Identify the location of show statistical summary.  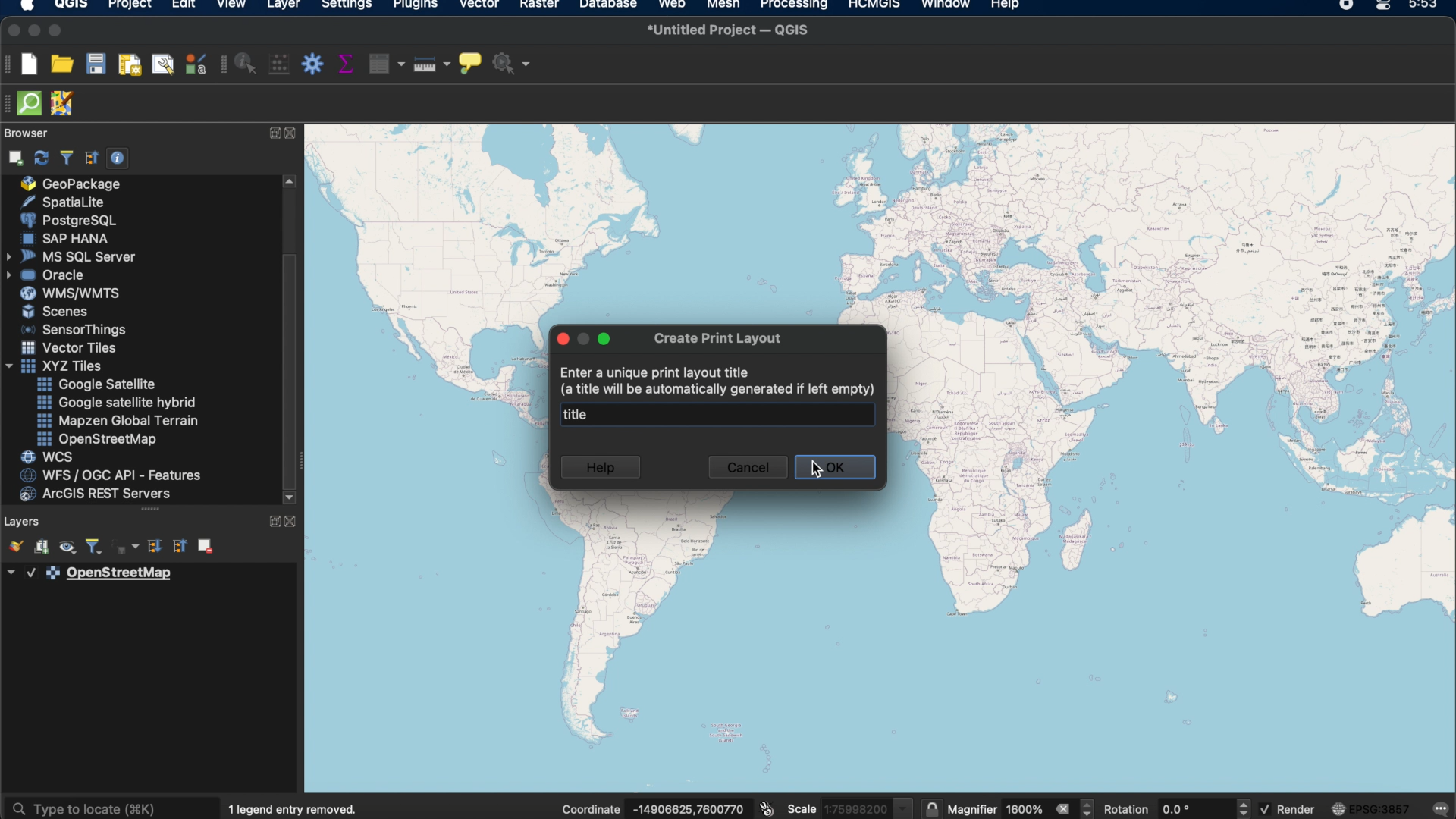
(345, 61).